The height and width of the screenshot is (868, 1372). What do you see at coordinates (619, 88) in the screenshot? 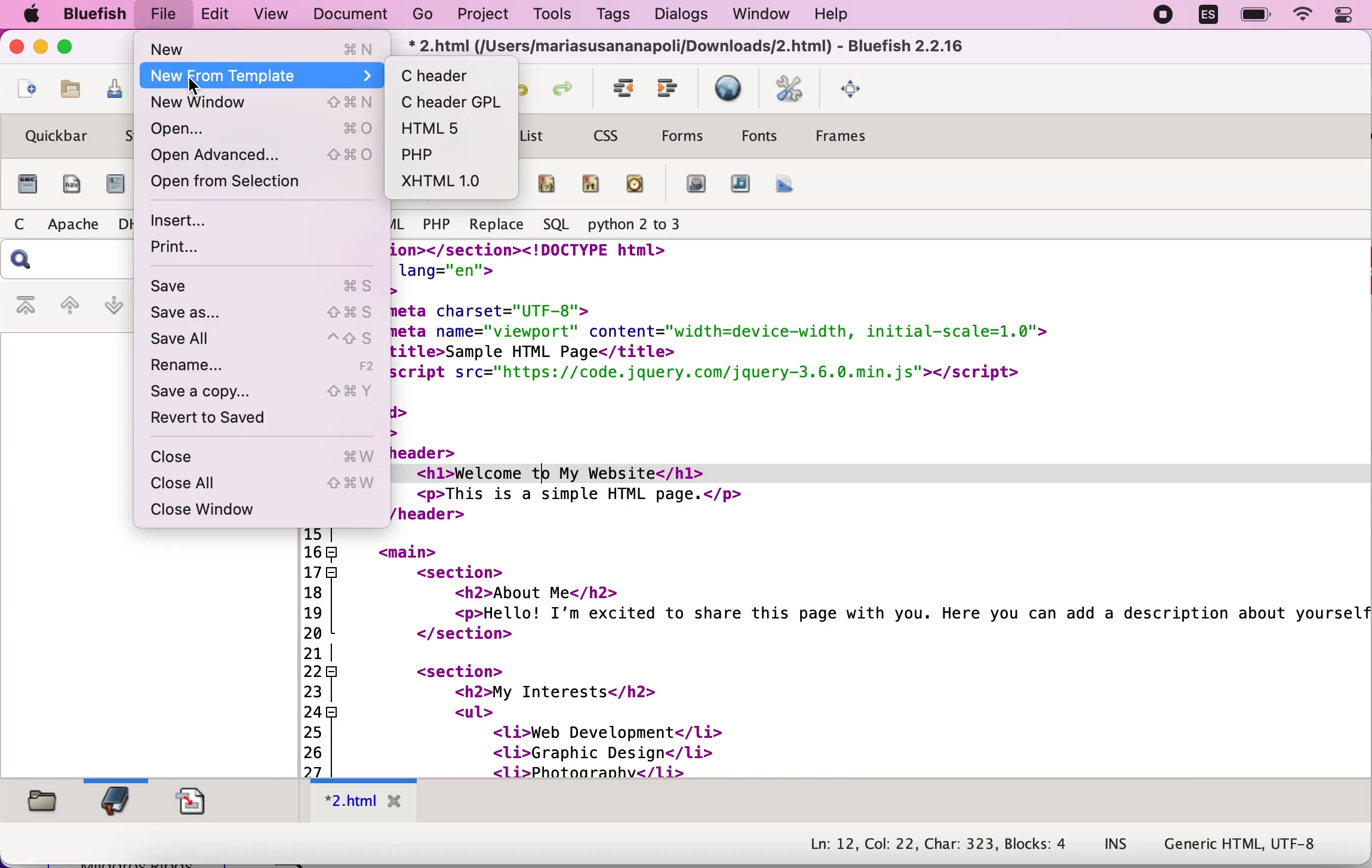
I see `indent` at bounding box center [619, 88].